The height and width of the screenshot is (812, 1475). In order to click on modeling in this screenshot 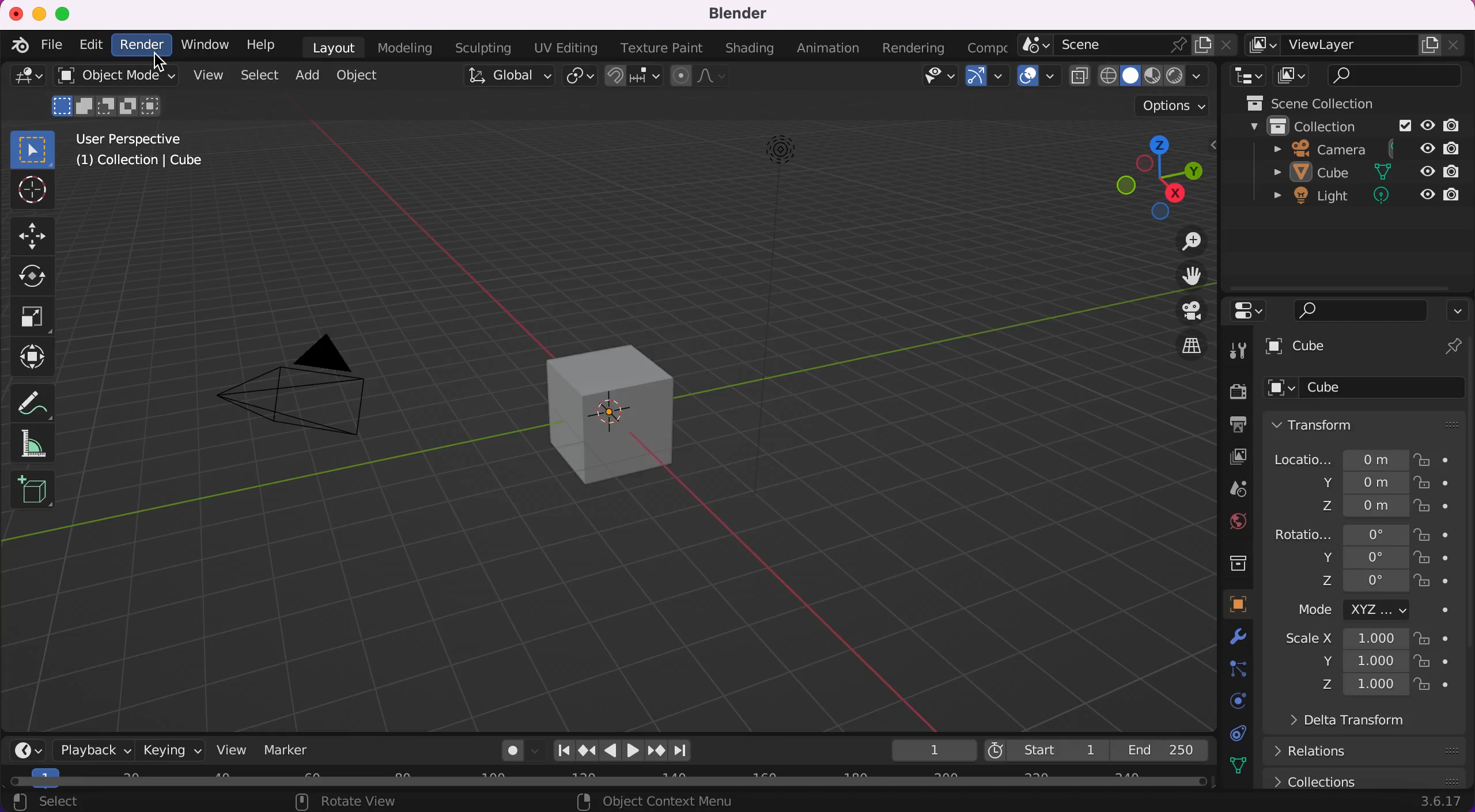, I will do `click(406, 49)`.